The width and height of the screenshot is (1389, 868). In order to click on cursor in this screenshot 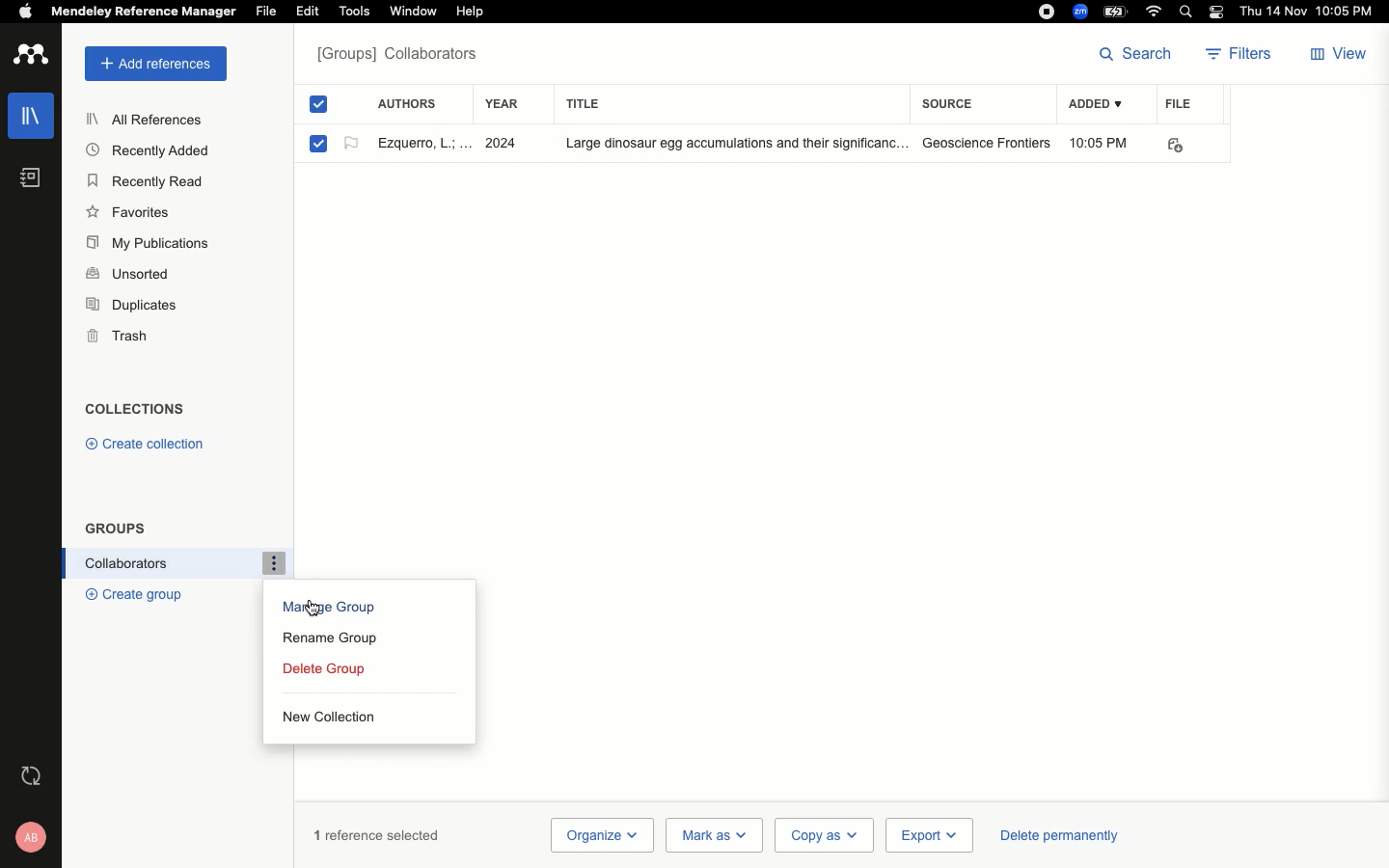, I will do `click(315, 607)`.